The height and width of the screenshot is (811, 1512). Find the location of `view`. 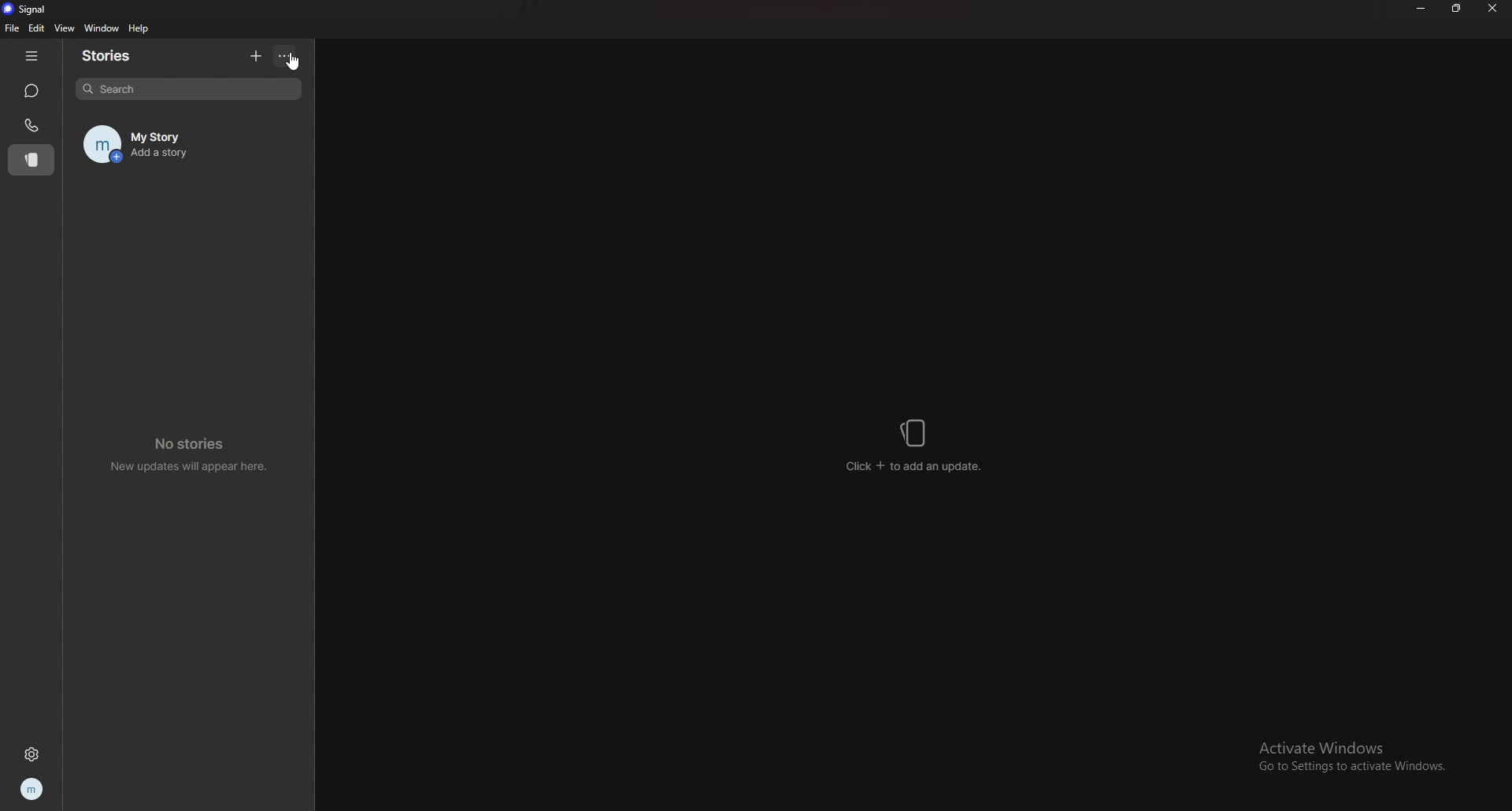

view is located at coordinates (63, 28).